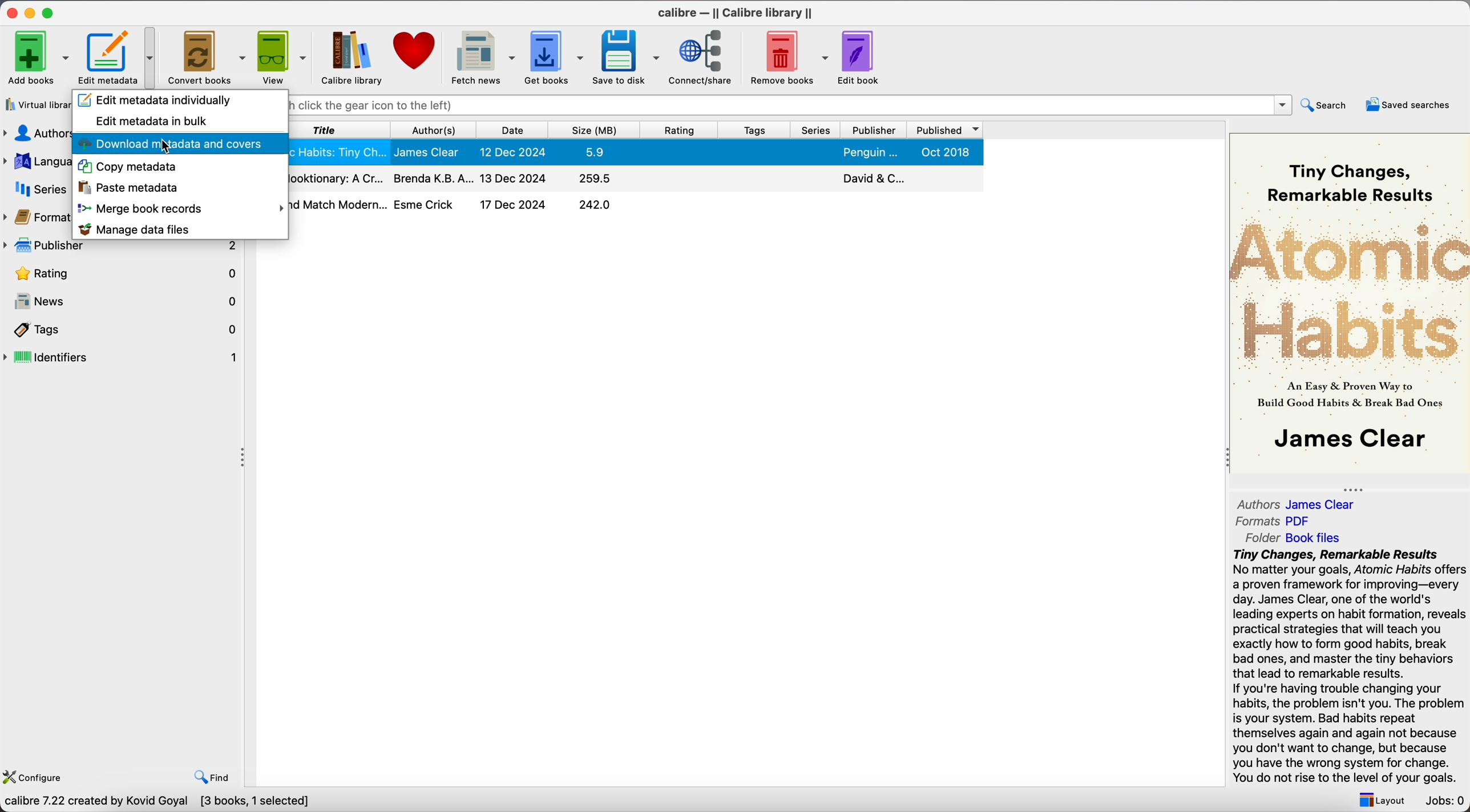  What do you see at coordinates (205, 56) in the screenshot?
I see `Convert books` at bounding box center [205, 56].